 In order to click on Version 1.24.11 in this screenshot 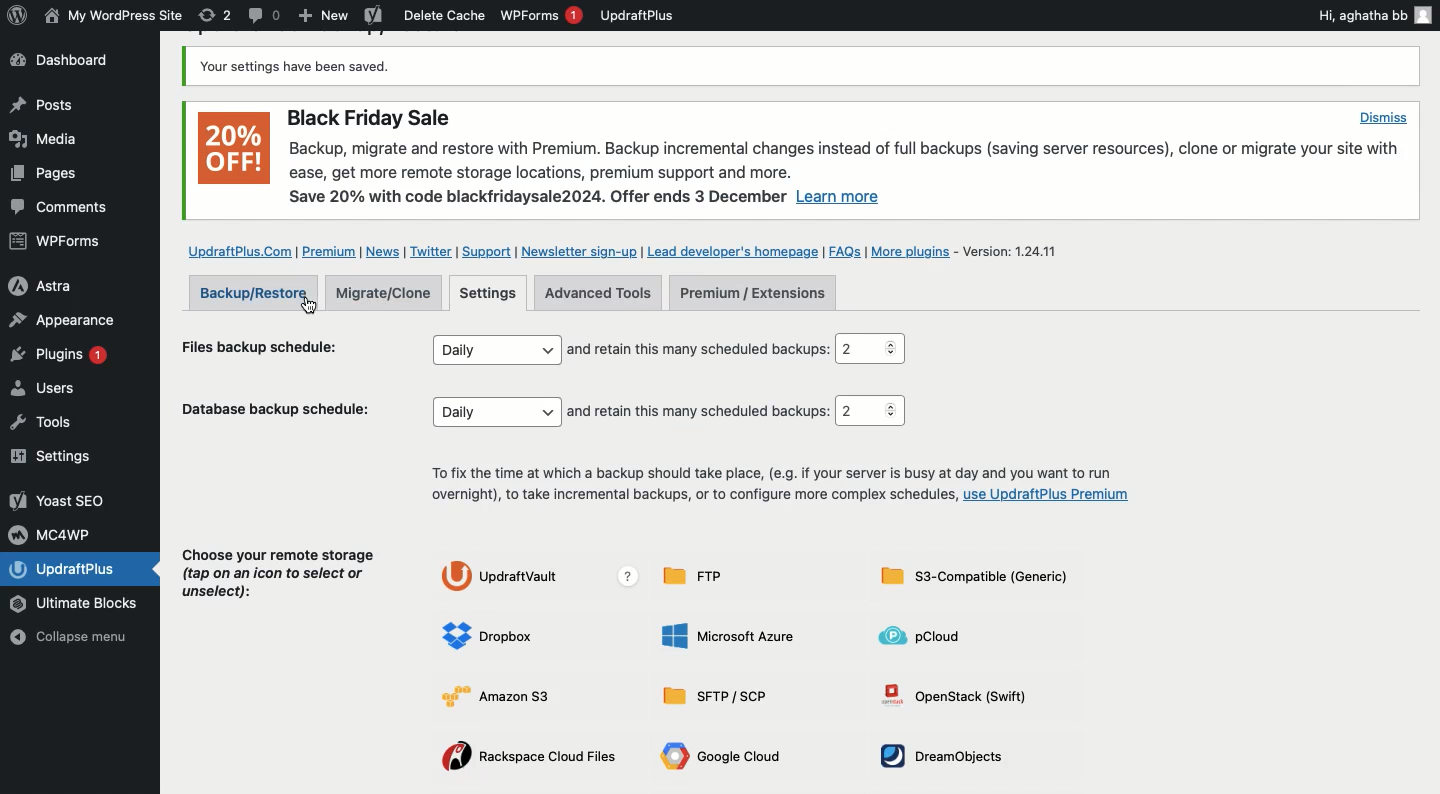, I will do `click(1011, 249)`.